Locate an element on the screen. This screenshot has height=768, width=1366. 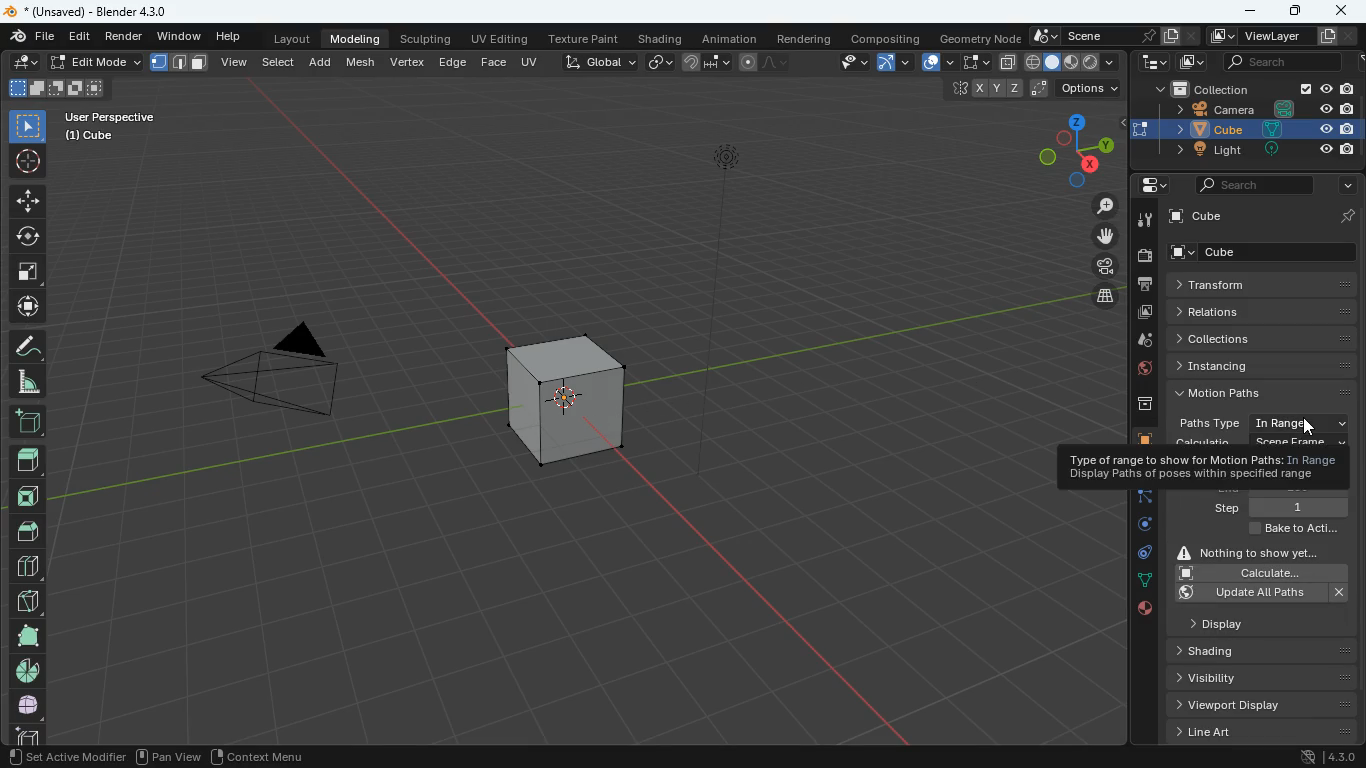
edit is located at coordinates (79, 38).